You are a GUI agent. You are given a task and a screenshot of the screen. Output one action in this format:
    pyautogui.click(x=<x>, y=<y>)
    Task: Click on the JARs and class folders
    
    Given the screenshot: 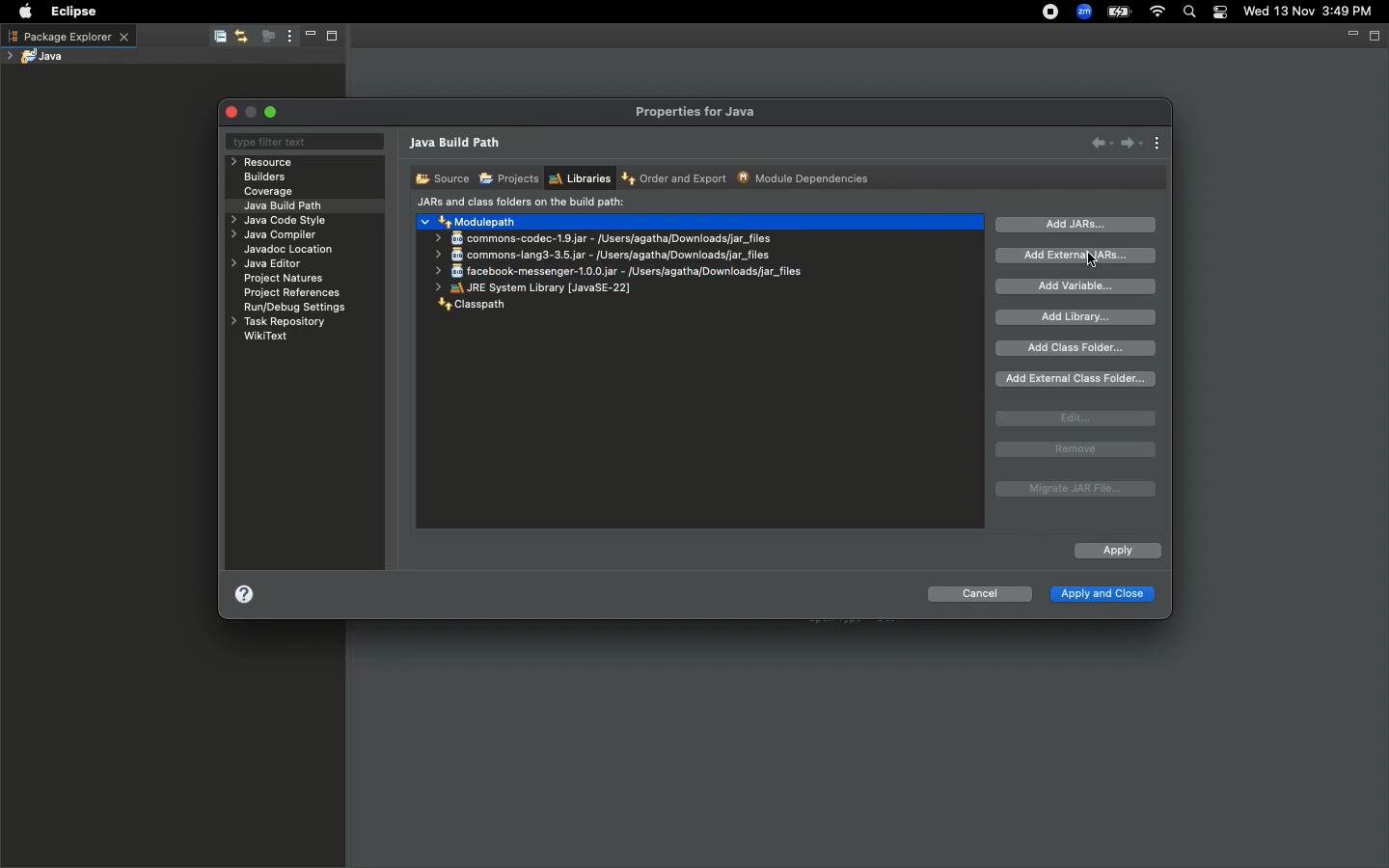 What is the action you would take?
    pyautogui.click(x=521, y=203)
    